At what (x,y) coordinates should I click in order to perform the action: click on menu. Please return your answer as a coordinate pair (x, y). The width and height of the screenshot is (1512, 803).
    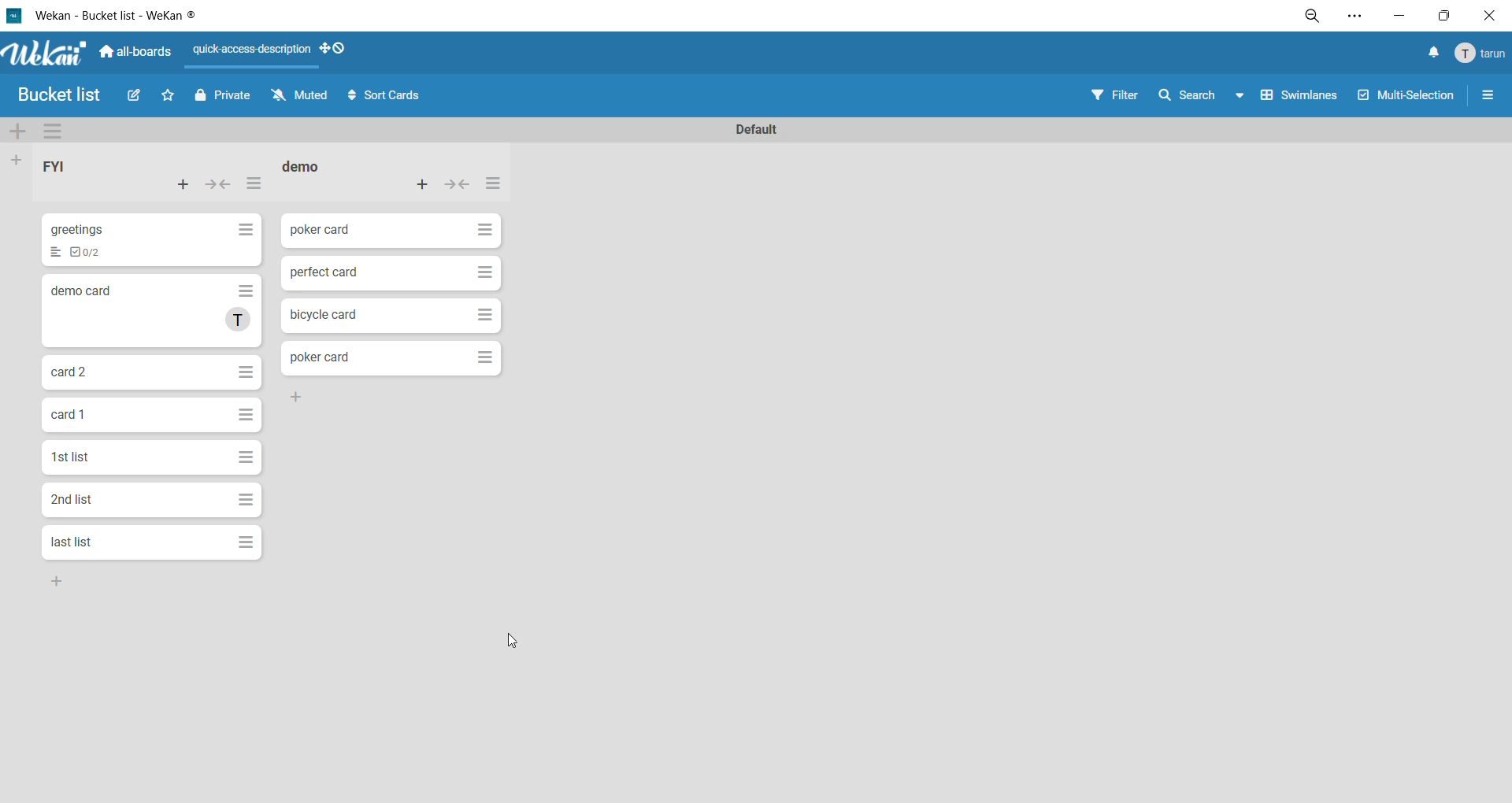
    Looking at the image, I should click on (1477, 54).